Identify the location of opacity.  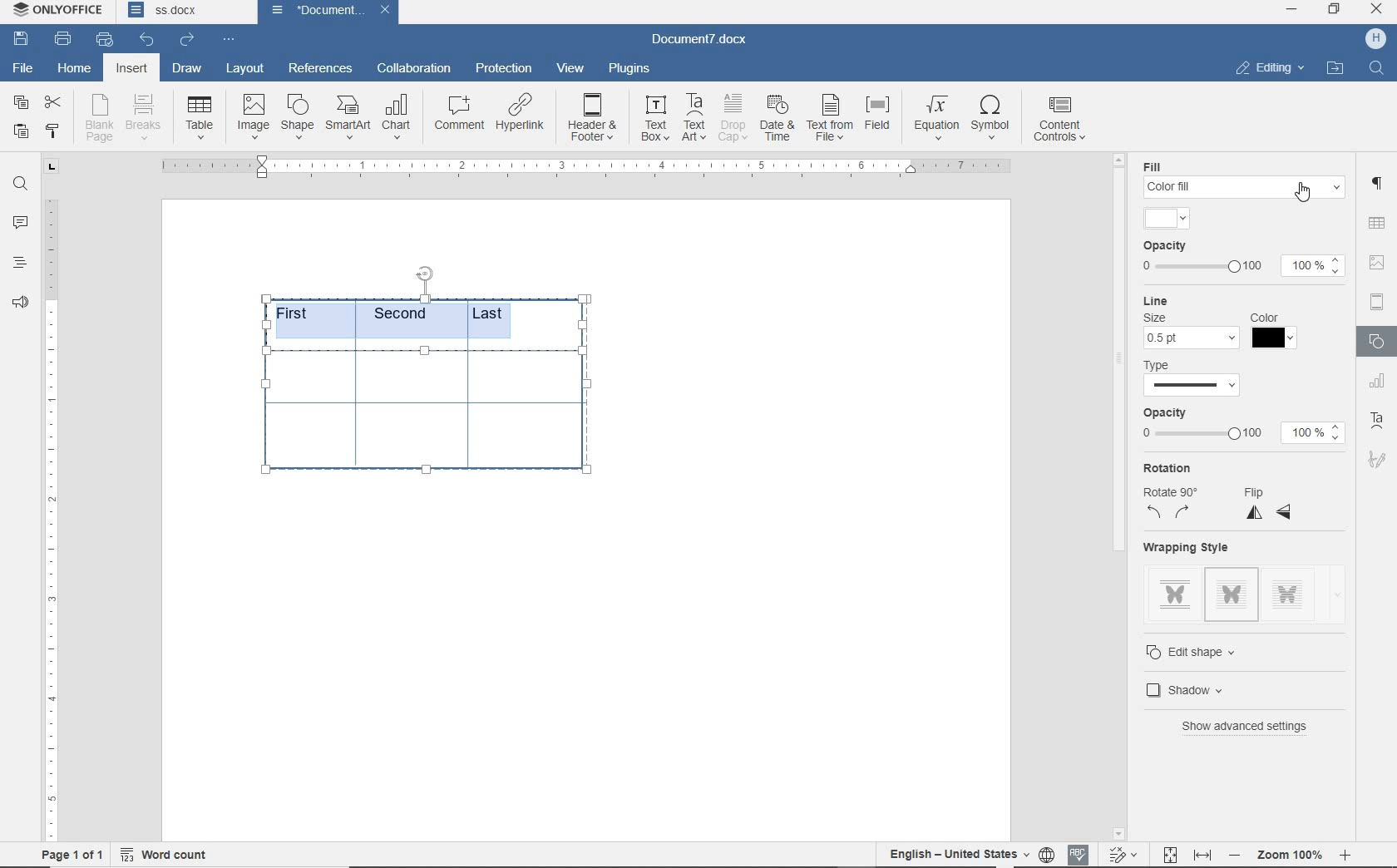
(1168, 412).